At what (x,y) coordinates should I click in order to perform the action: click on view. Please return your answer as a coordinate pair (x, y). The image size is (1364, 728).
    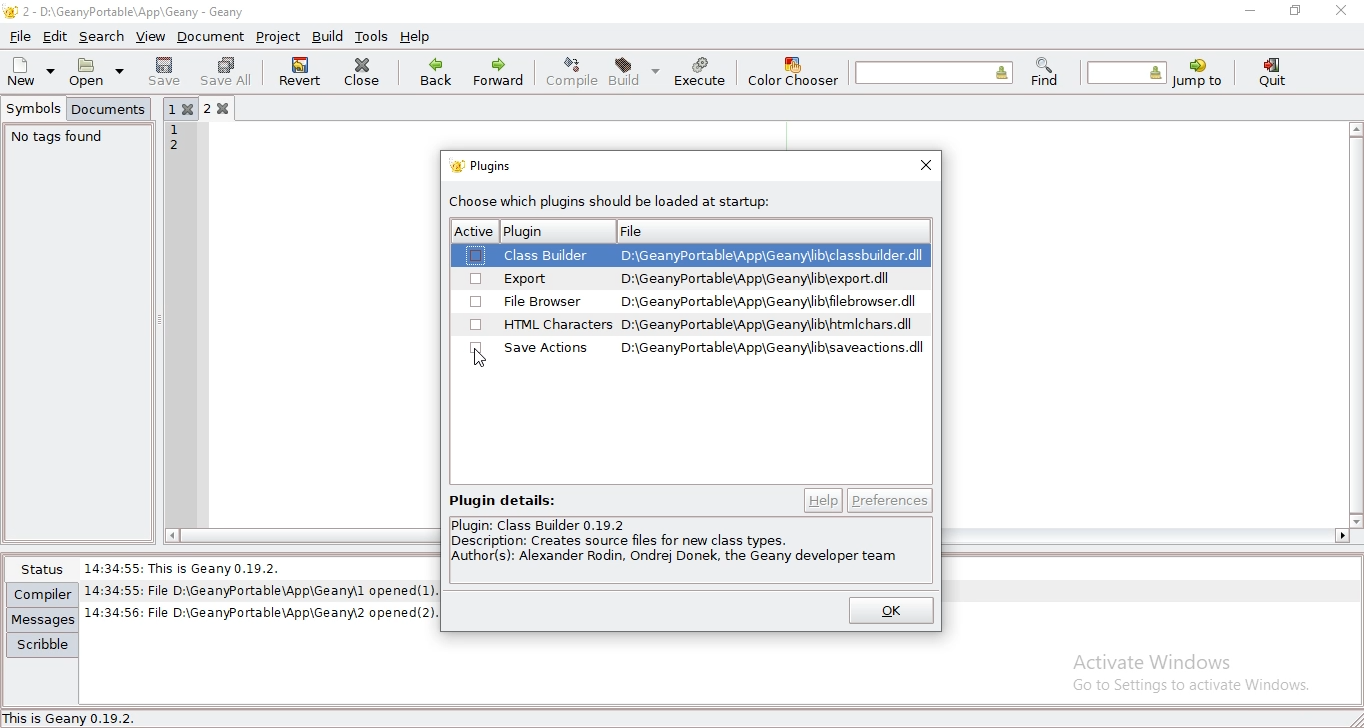
    Looking at the image, I should click on (150, 36).